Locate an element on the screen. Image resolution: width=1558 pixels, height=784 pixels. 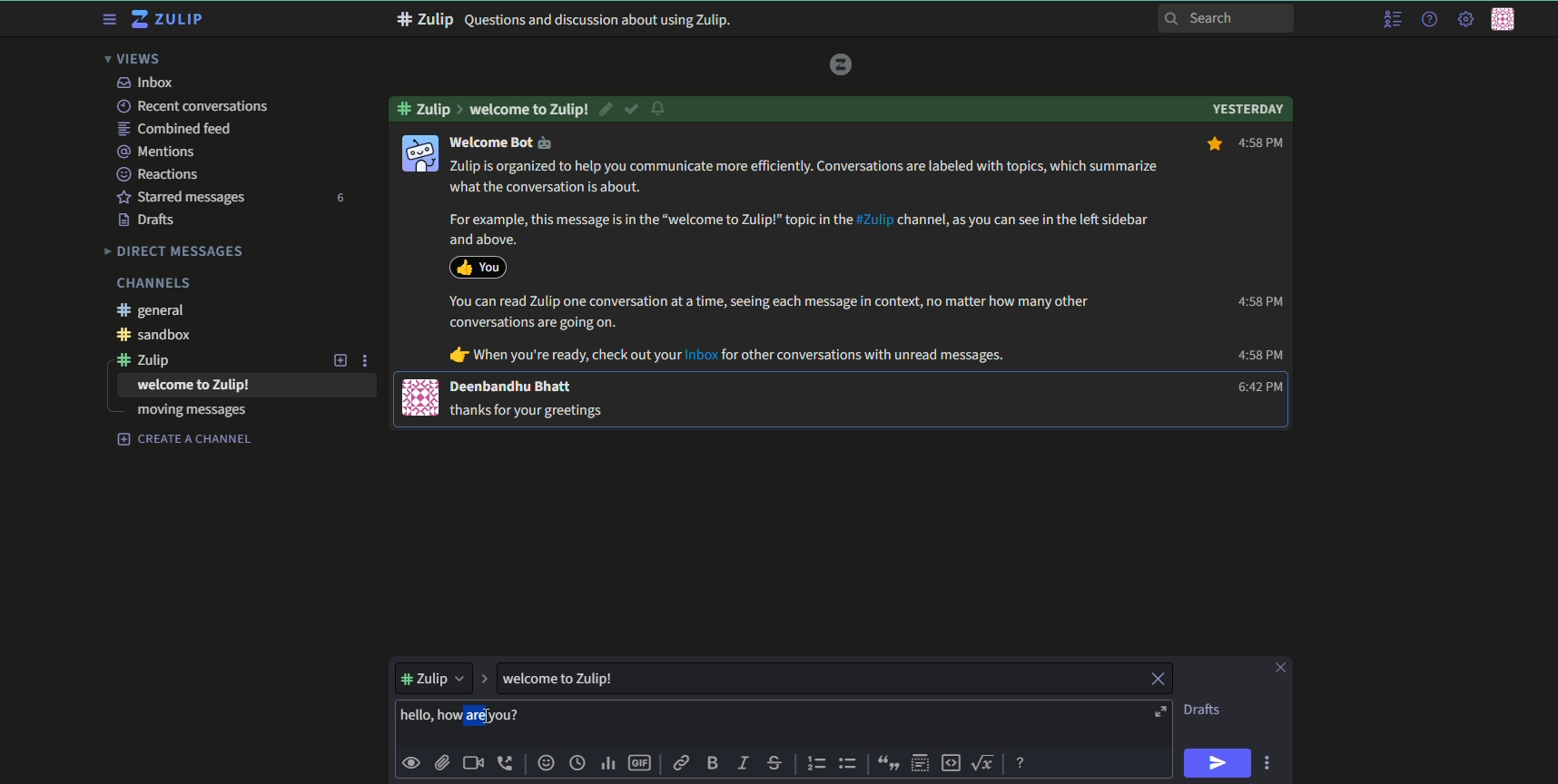
Direct messages is located at coordinates (175, 250).